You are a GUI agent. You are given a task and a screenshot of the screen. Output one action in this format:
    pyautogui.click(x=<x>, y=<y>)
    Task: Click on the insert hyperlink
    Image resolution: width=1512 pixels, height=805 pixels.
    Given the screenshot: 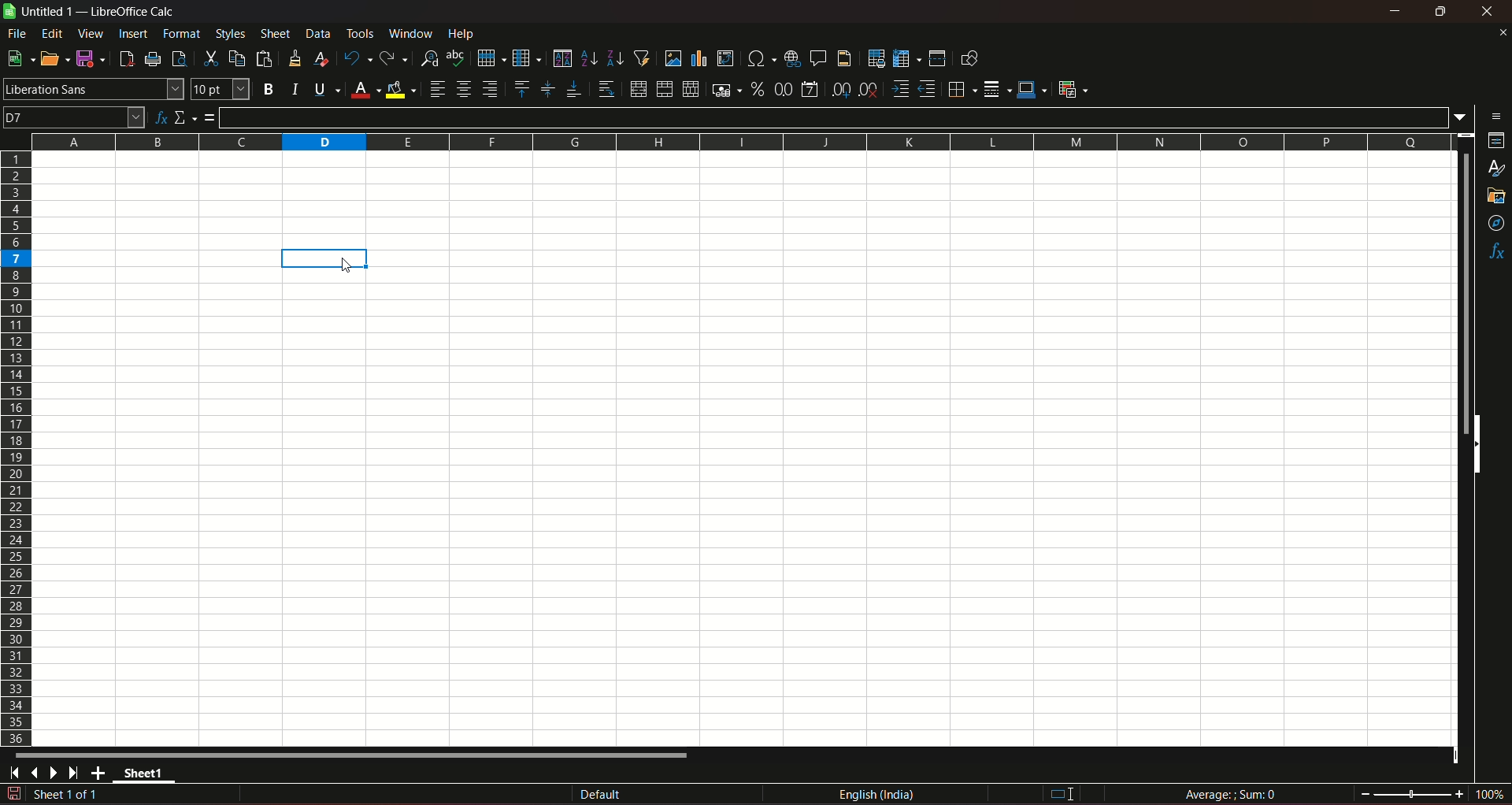 What is the action you would take?
    pyautogui.click(x=790, y=57)
    